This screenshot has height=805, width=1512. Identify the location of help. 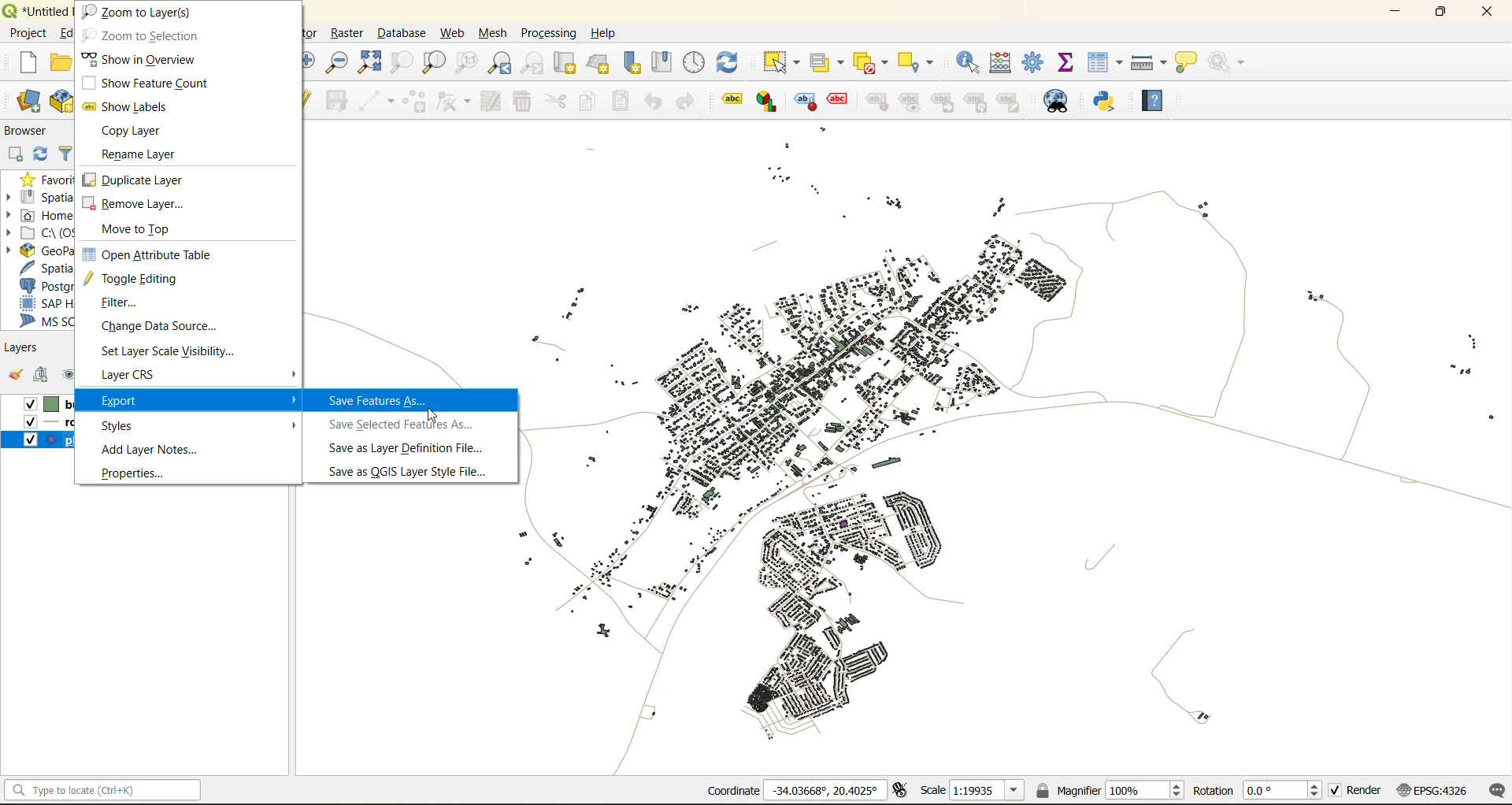
(608, 33).